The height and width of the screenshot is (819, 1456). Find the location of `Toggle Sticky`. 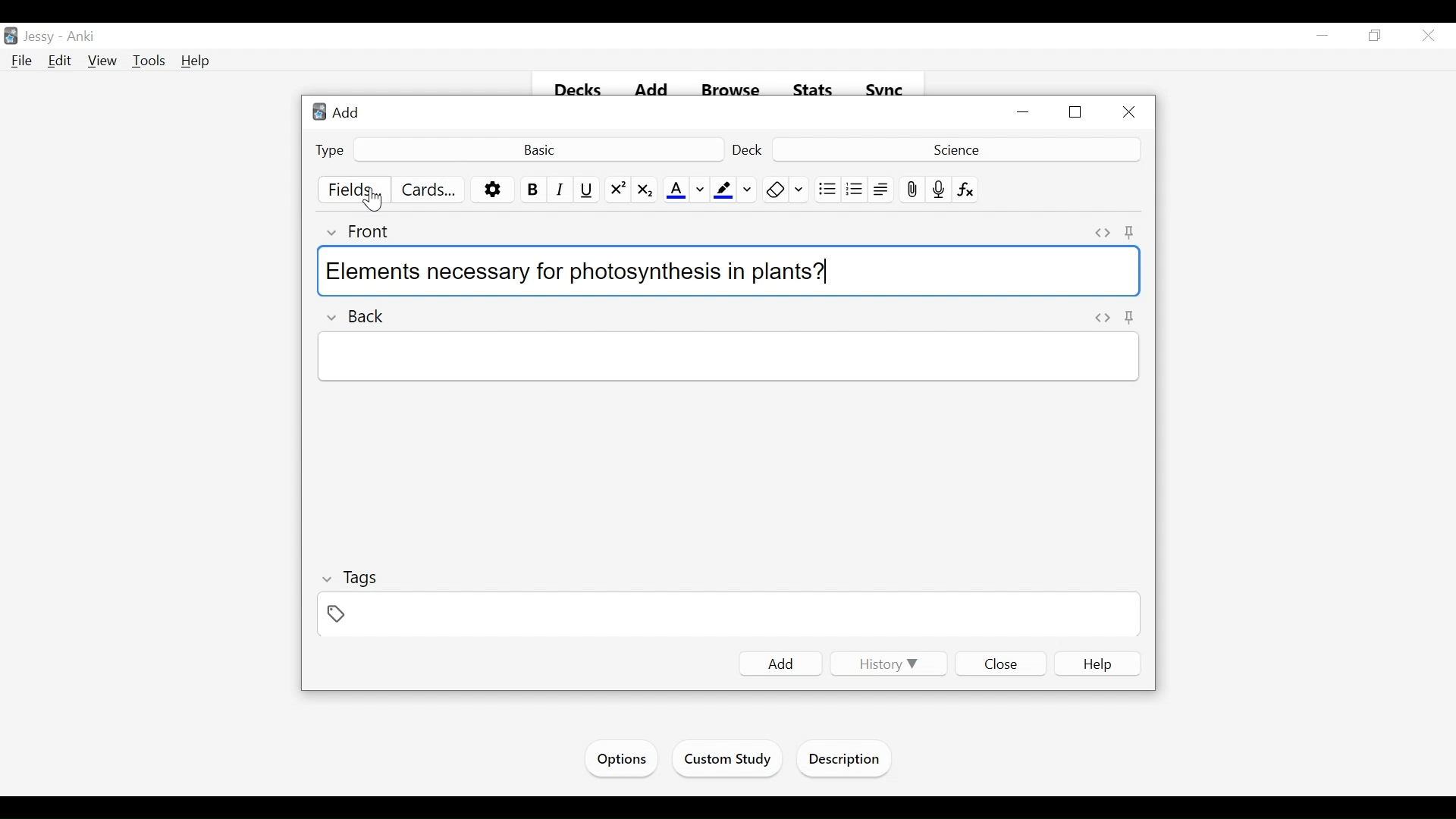

Toggle Sticky is located at coordinates (1130, 232).